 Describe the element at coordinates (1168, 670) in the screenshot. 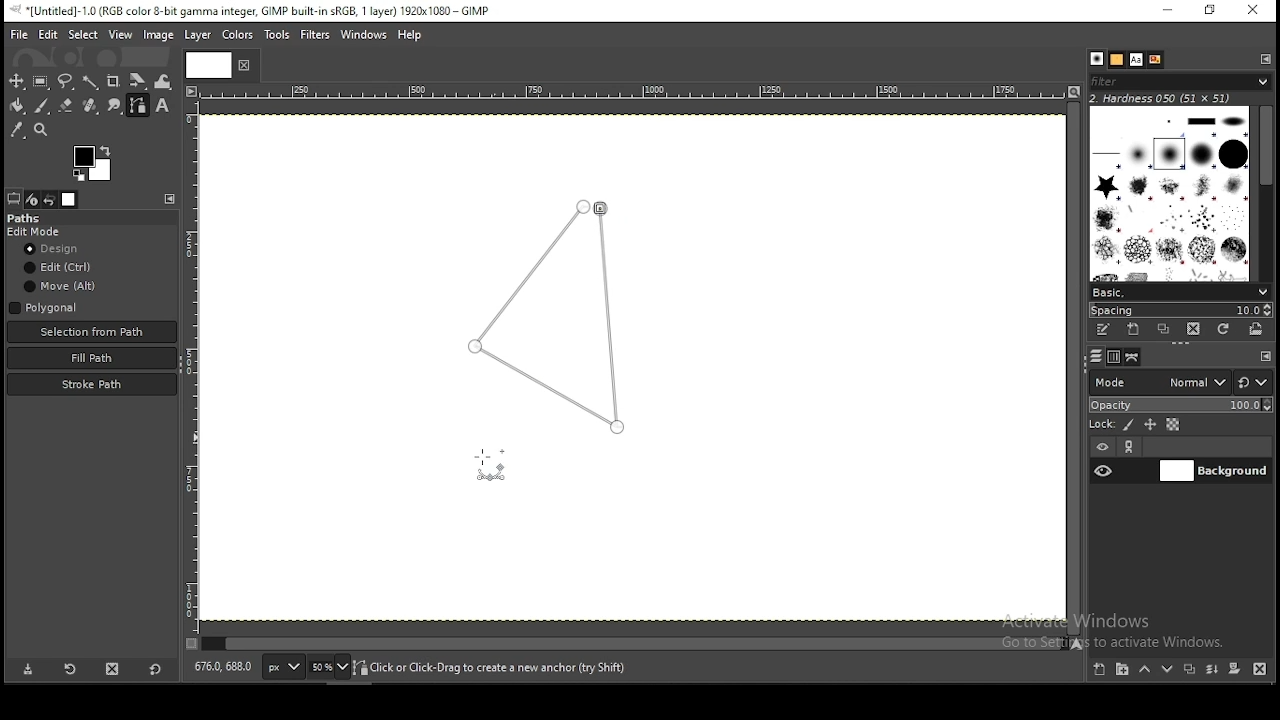

I see `move layer one step down` at that location.